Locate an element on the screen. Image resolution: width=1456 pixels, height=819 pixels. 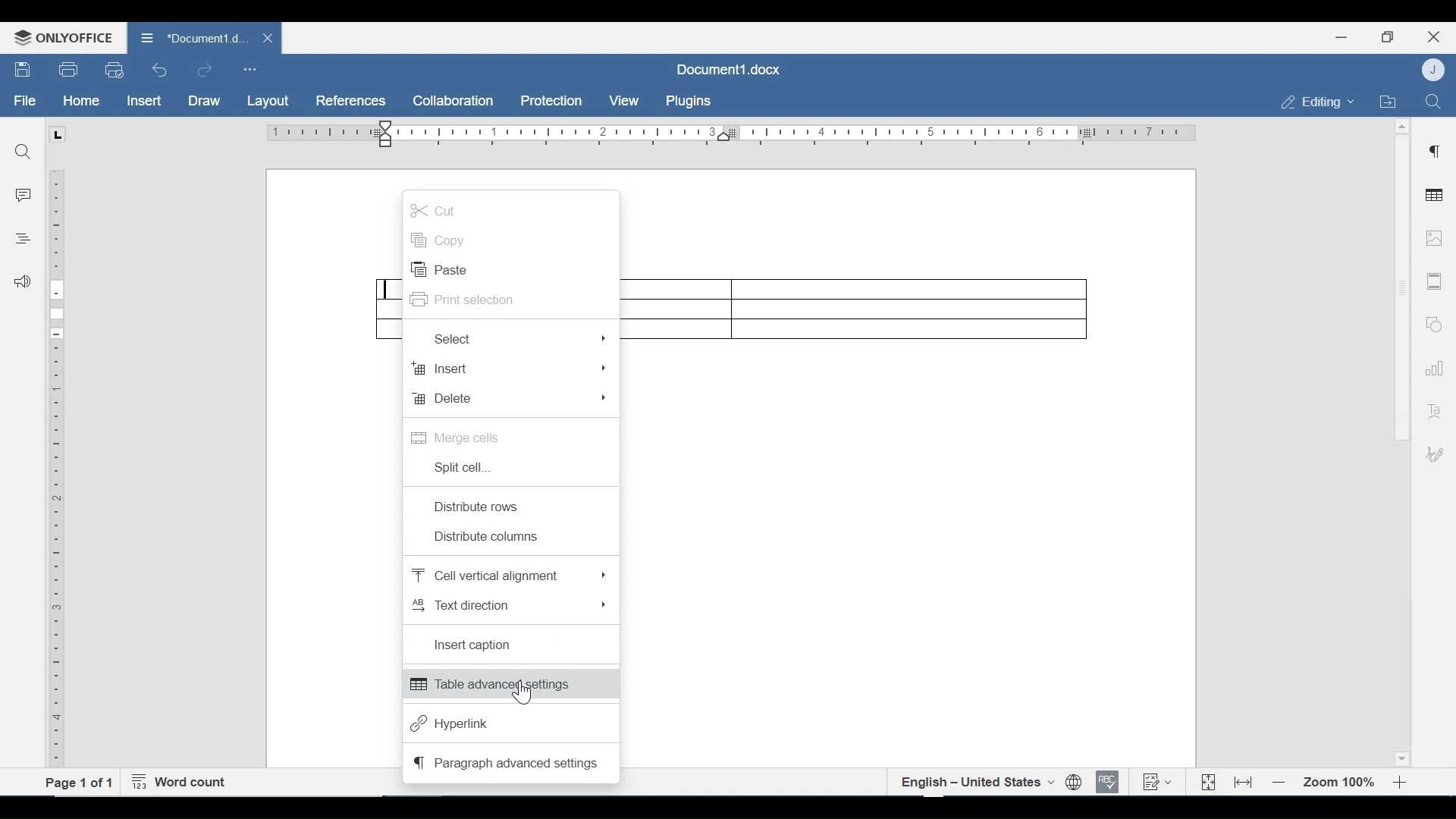
Signature is located at coordinates (1432, 456).